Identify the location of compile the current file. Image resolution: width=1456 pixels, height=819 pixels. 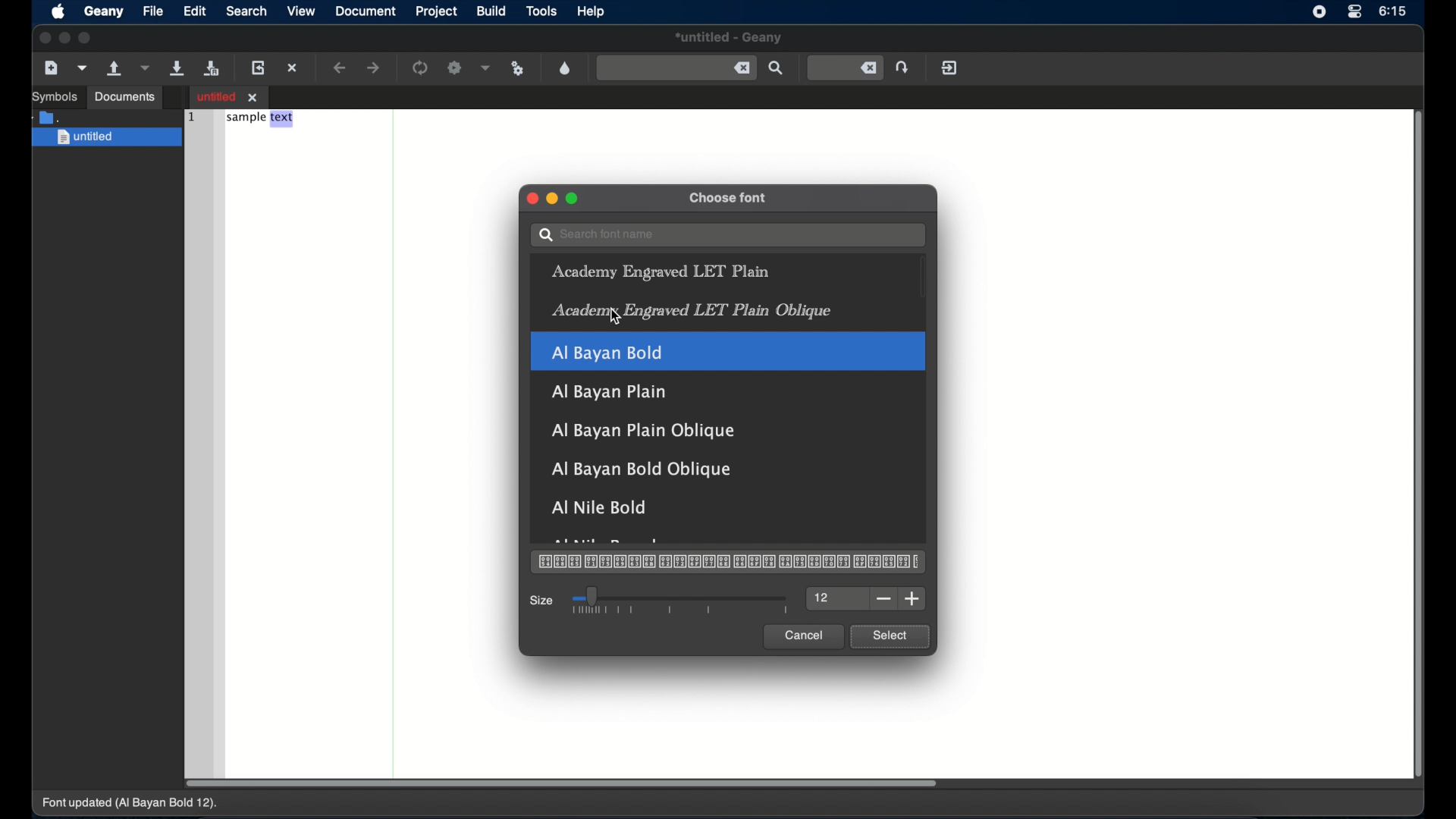
(421, 67).